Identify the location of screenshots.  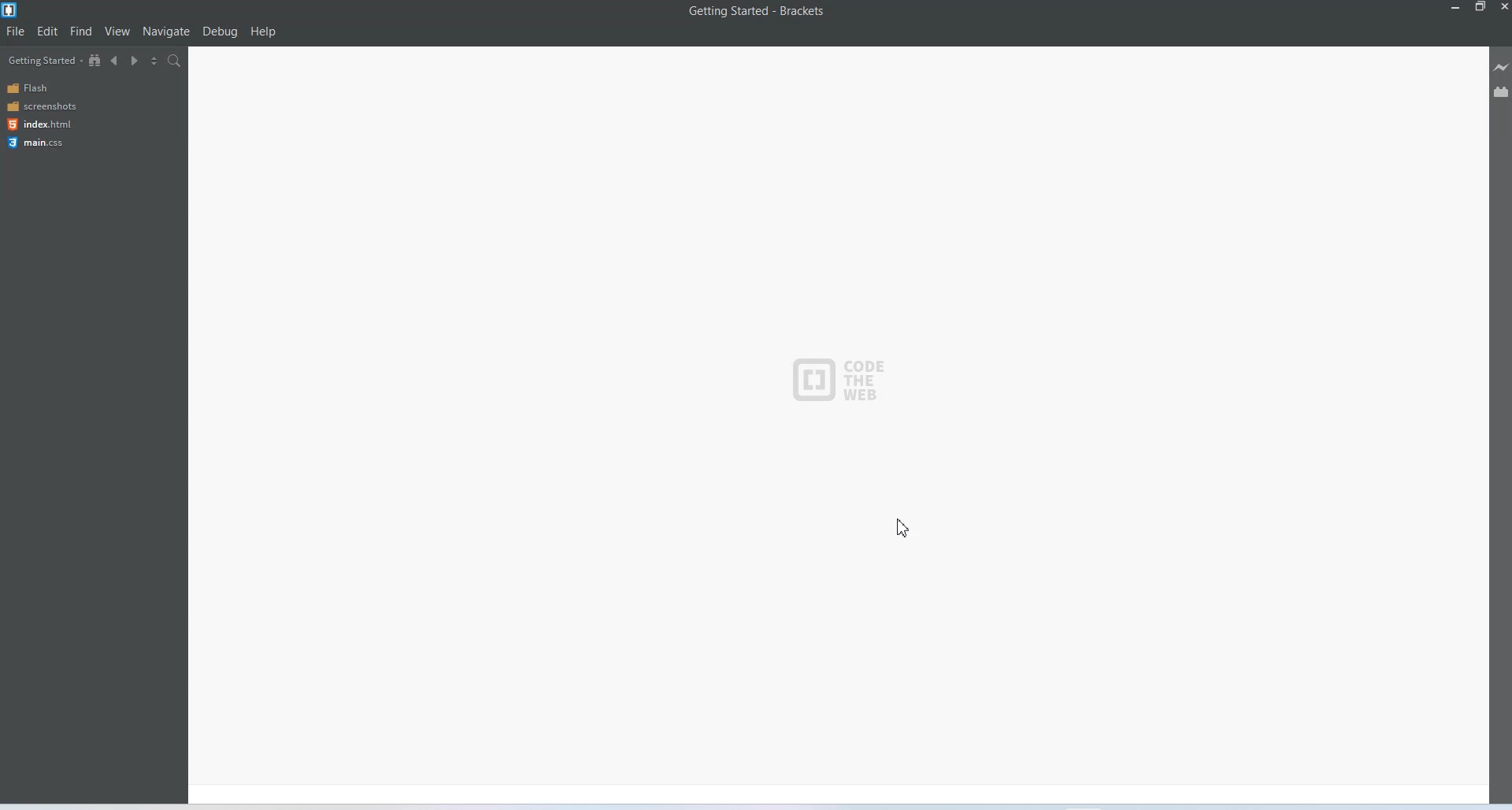
(41, 106).